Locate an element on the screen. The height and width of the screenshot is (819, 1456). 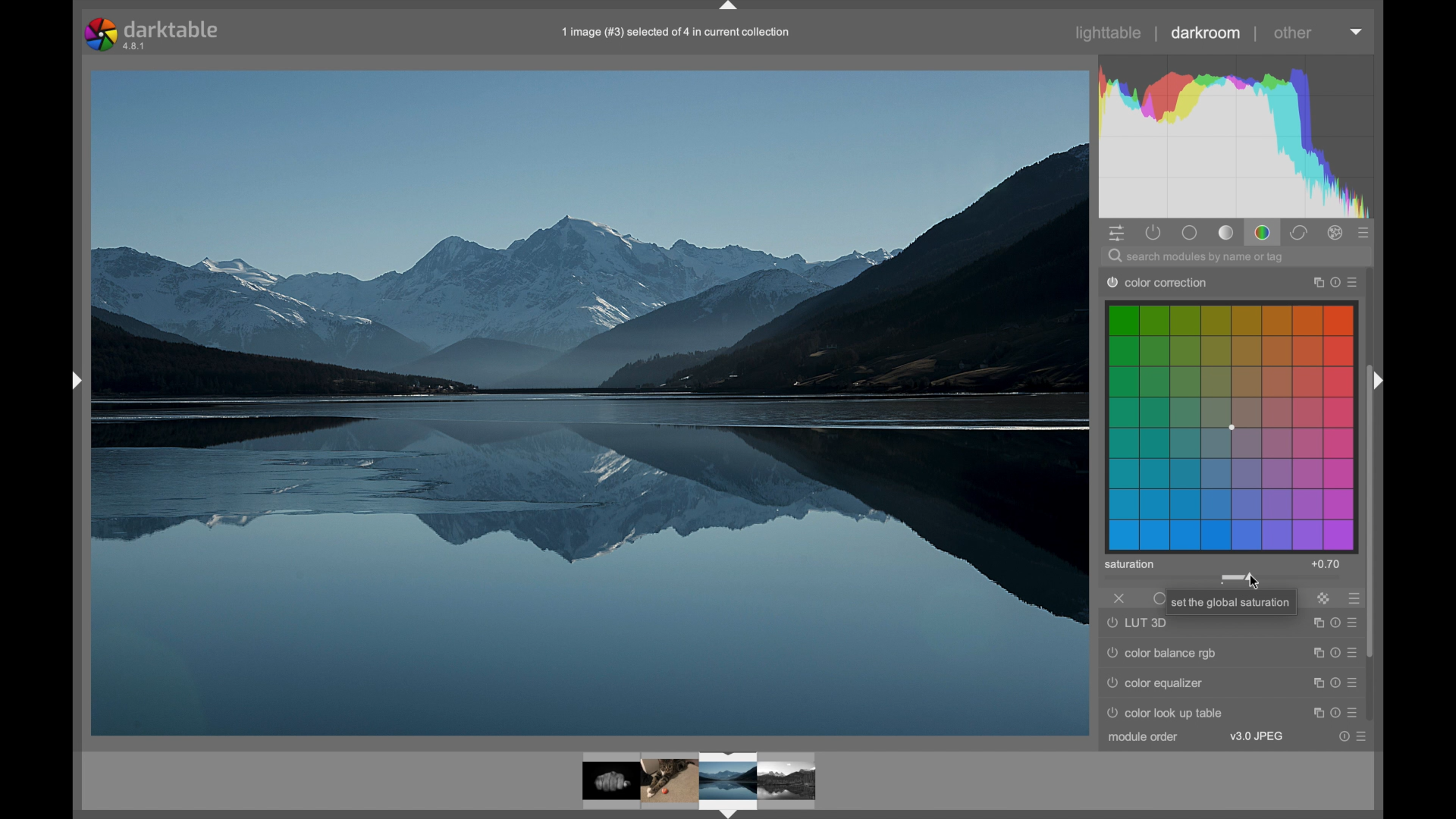
base is located at coordinates (1191, 234).